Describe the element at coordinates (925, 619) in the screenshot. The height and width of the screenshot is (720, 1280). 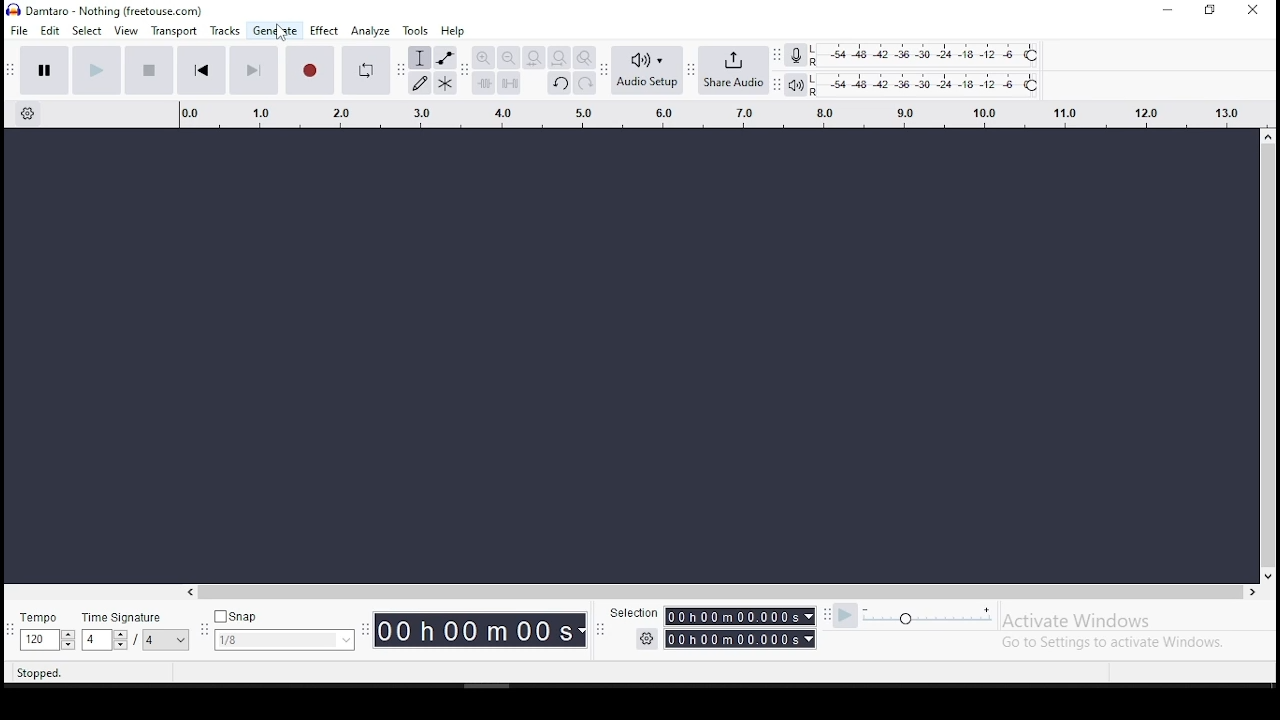
I see `playback speed` at that location.